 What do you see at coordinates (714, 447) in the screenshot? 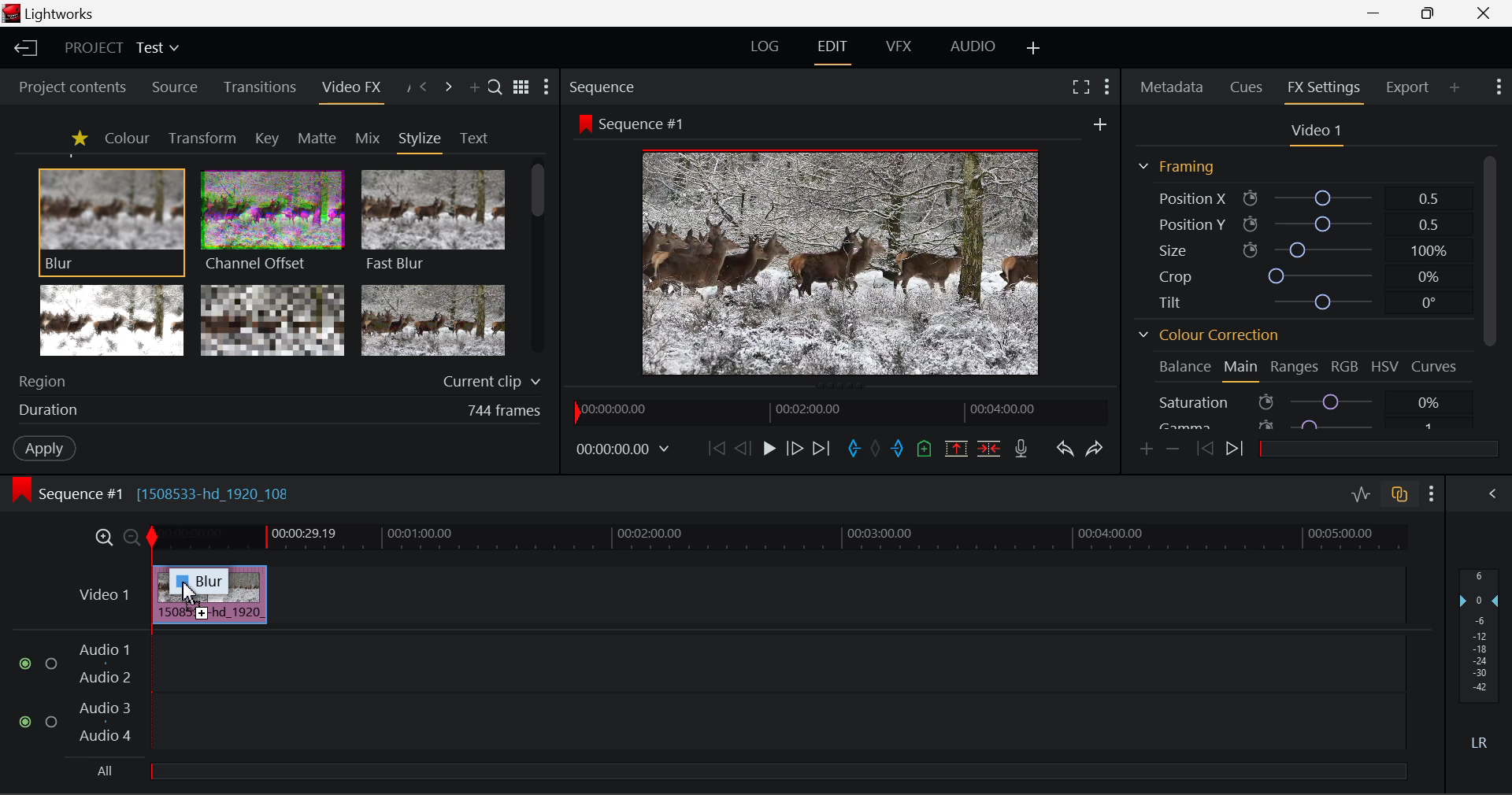
I see `To Start` at bounding box center [714, 447].